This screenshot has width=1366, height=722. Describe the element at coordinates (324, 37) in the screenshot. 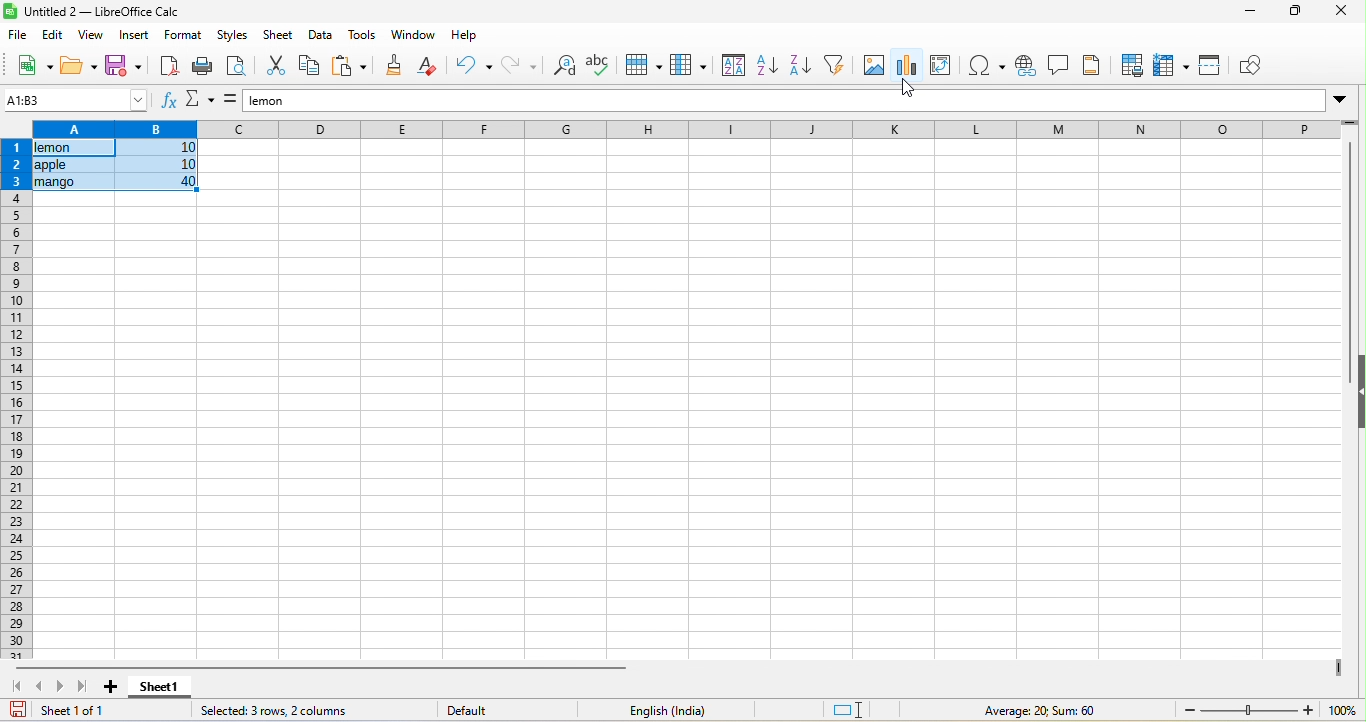

I see `data` at that location.